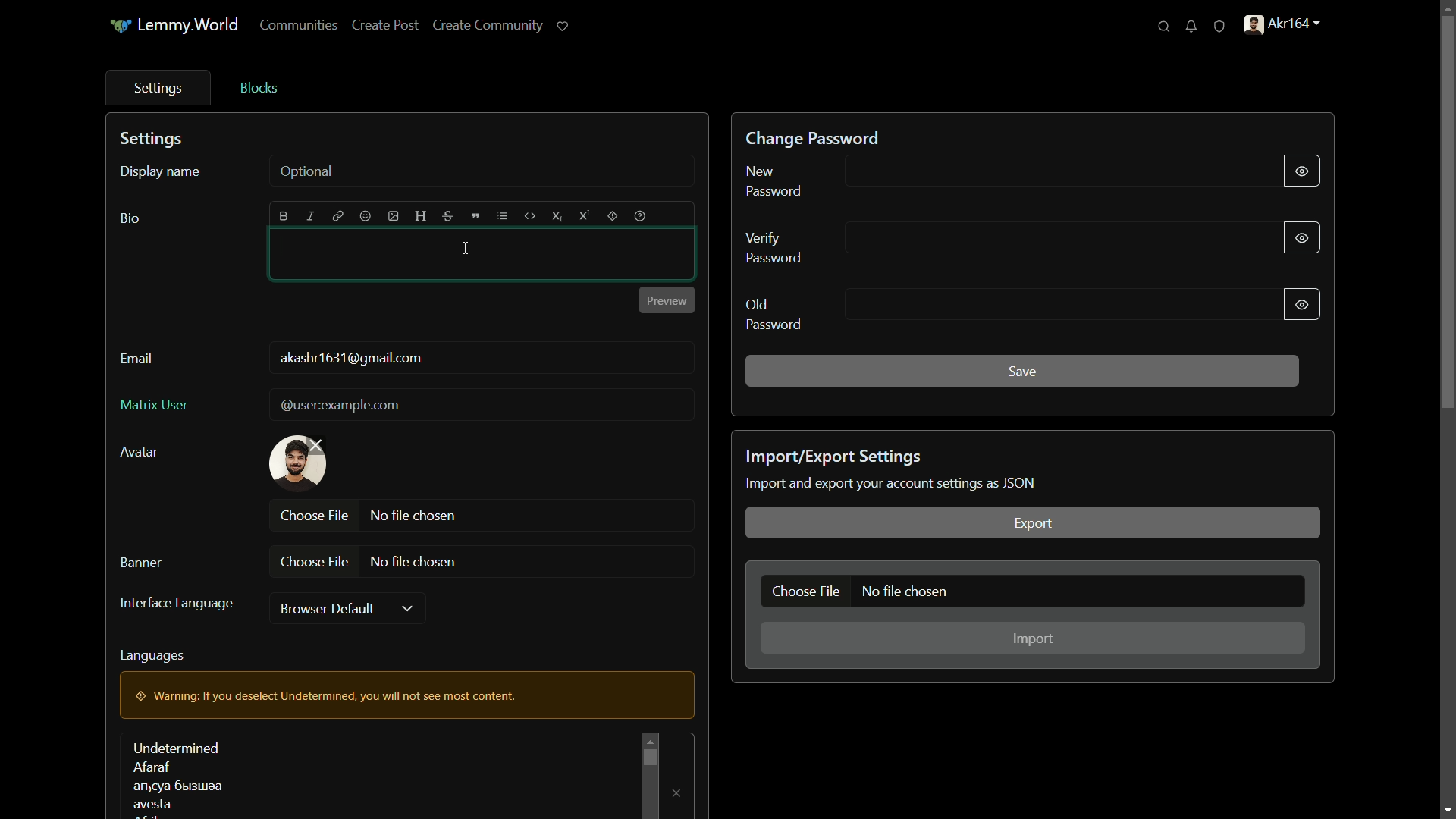 This screenshot has height=819, width=1456. I want to click on change password, so click(811, 139).